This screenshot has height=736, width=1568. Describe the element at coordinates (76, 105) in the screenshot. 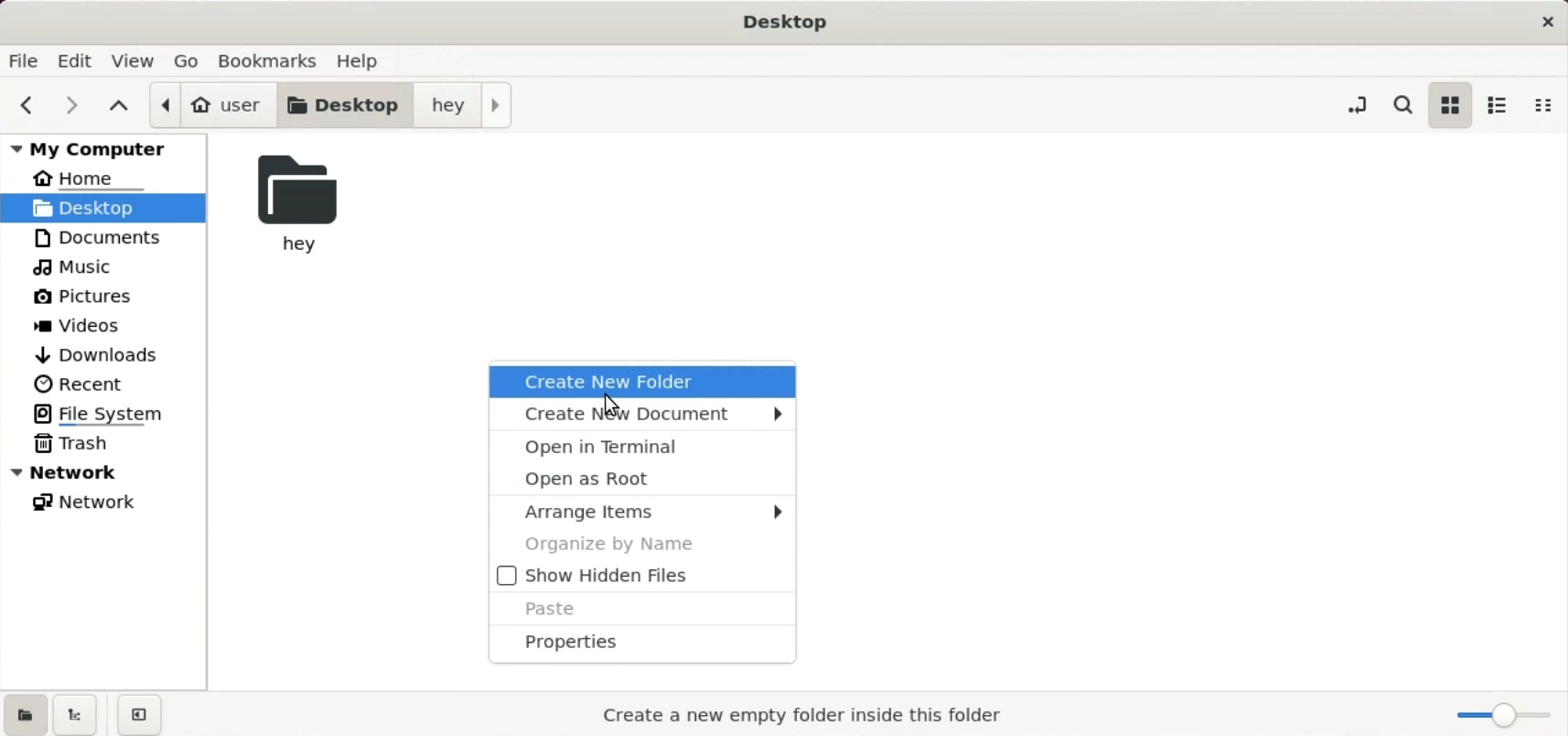

I see `next` at that location.